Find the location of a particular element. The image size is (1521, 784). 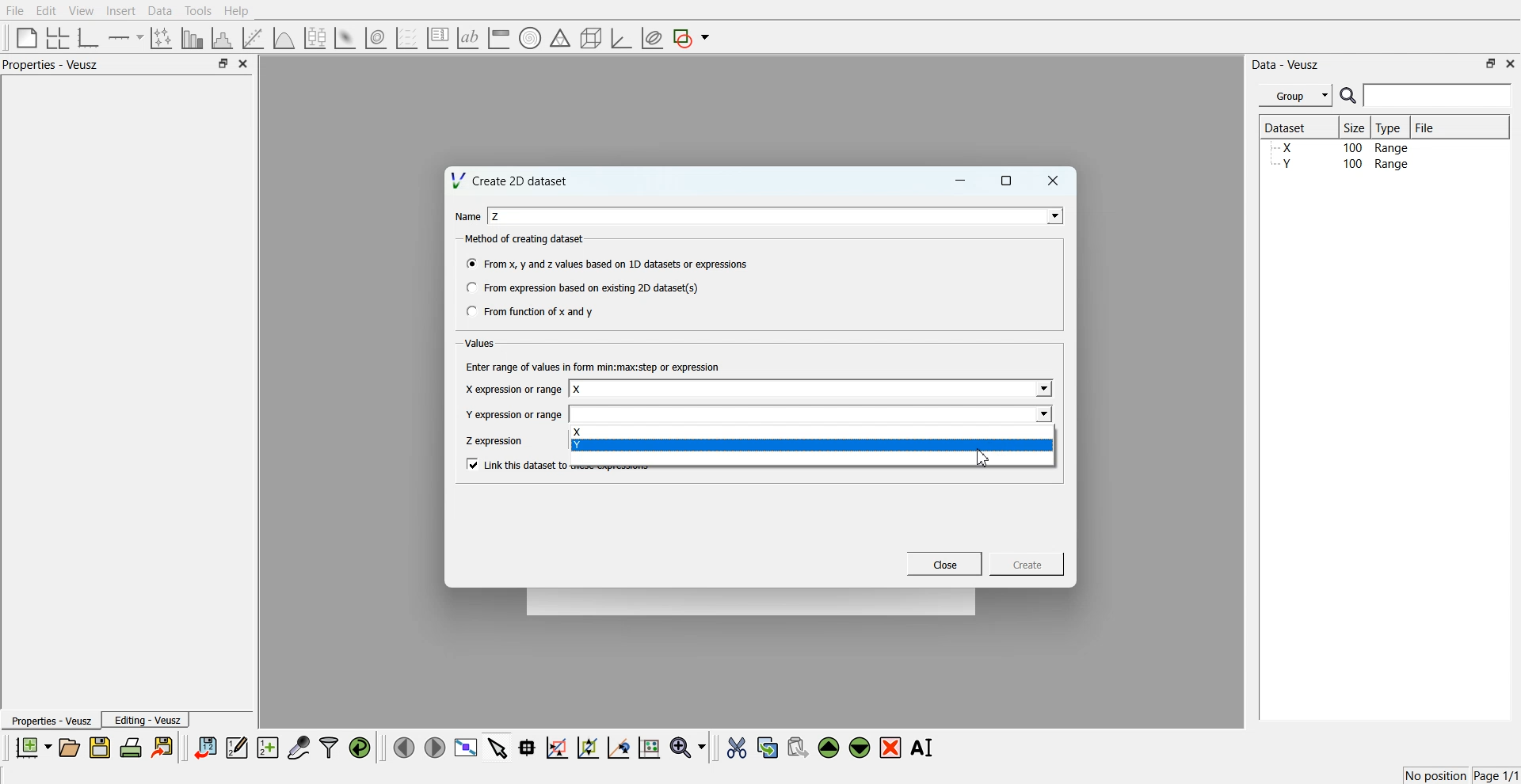

‘Name is located at coordinates (466, 217).